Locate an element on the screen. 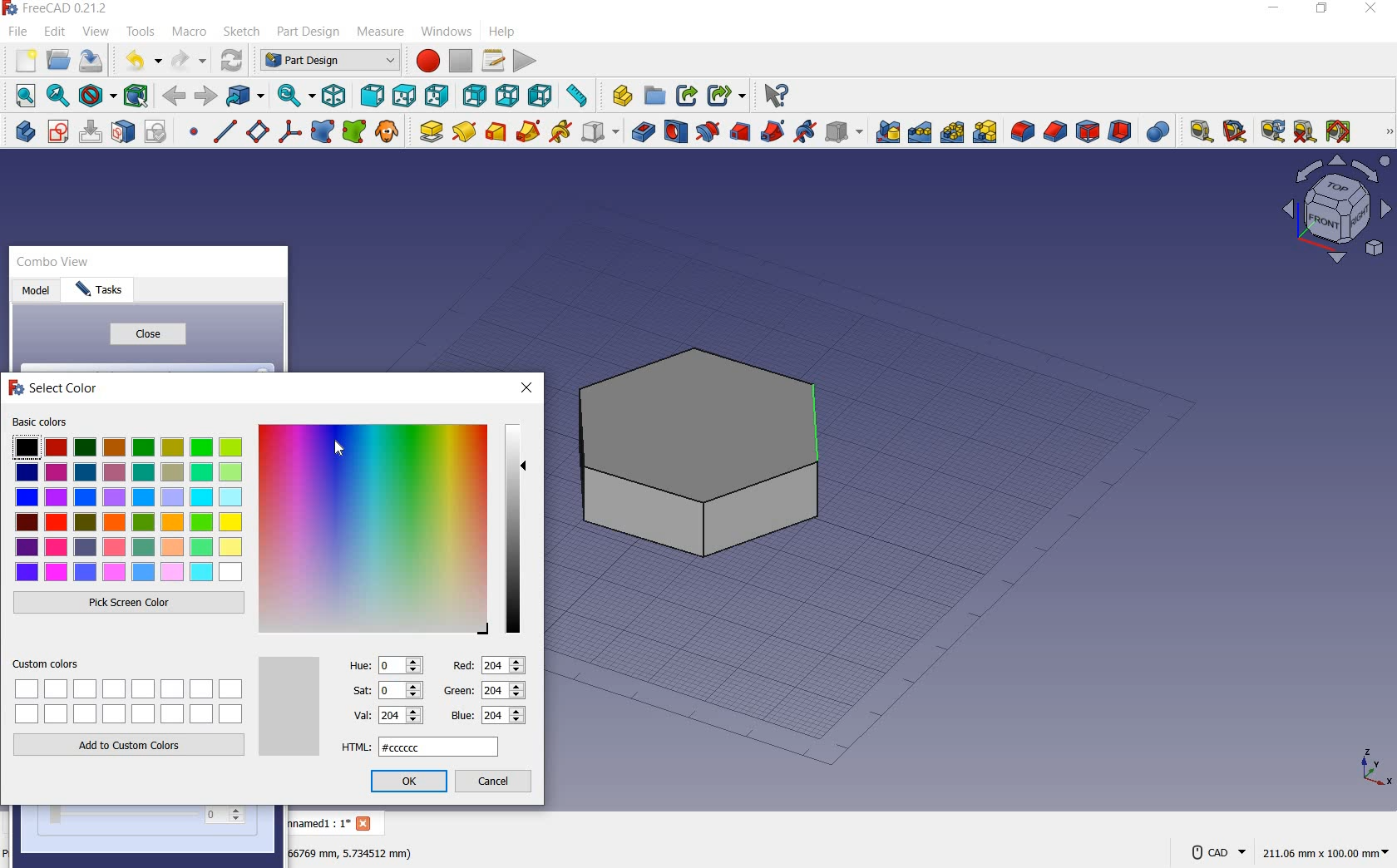 This screenshot has height=868, width=1397. right is located at coordinates (438, 96).